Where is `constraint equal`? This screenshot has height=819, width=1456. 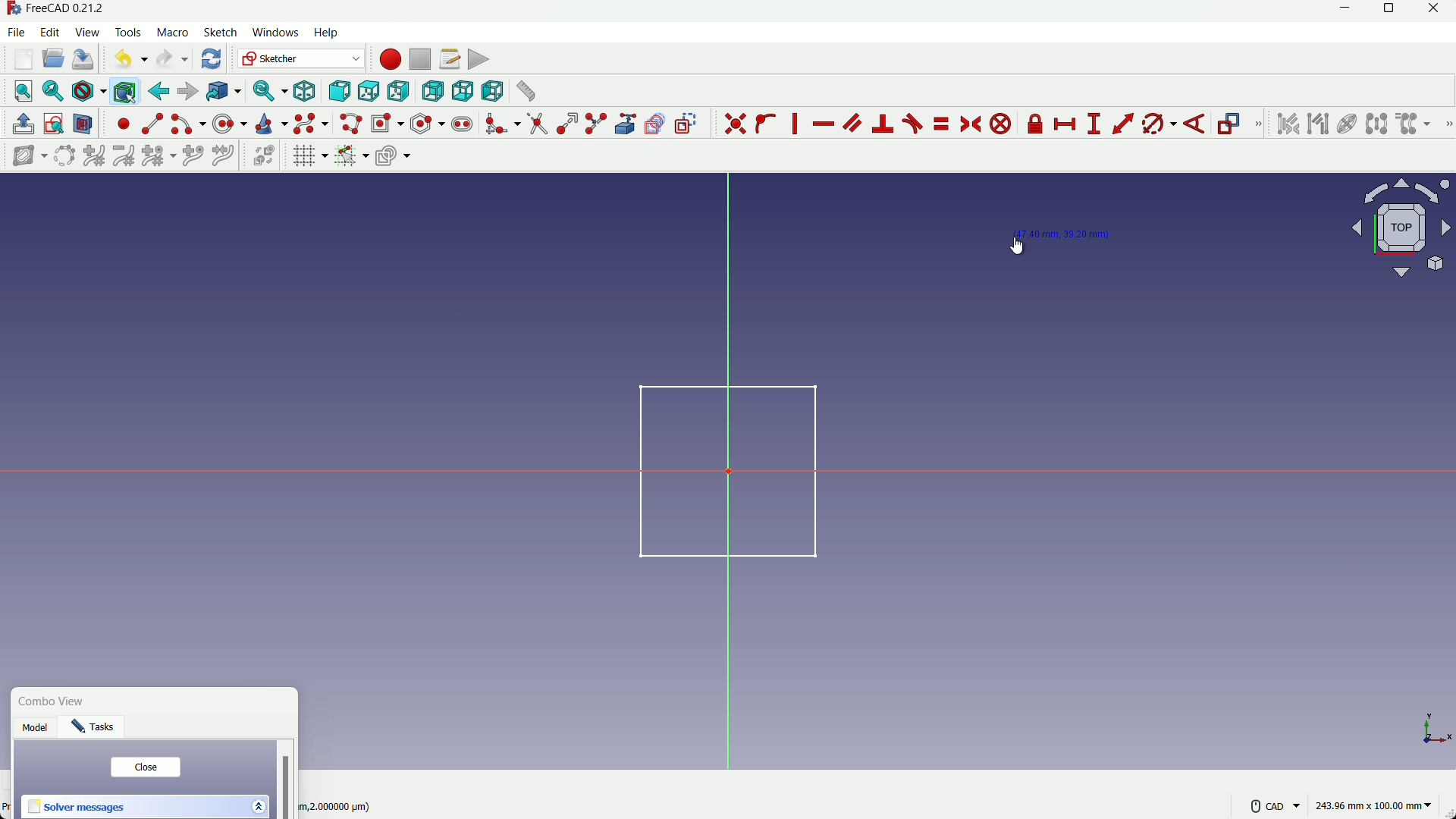 constraint equal is located at coordinates (940, 124).